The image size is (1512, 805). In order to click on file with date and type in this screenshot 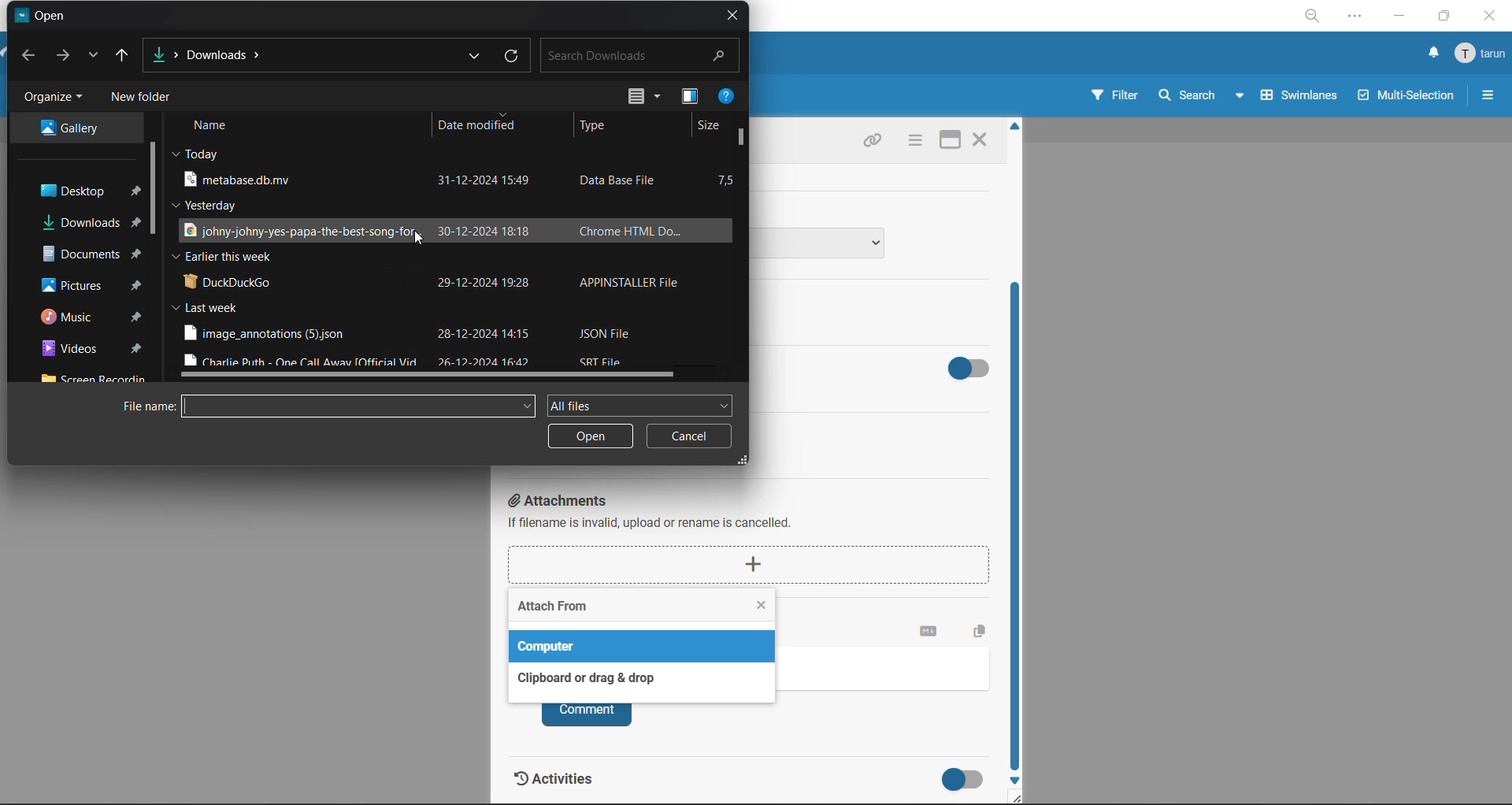, I will do `click(428, 180)`.